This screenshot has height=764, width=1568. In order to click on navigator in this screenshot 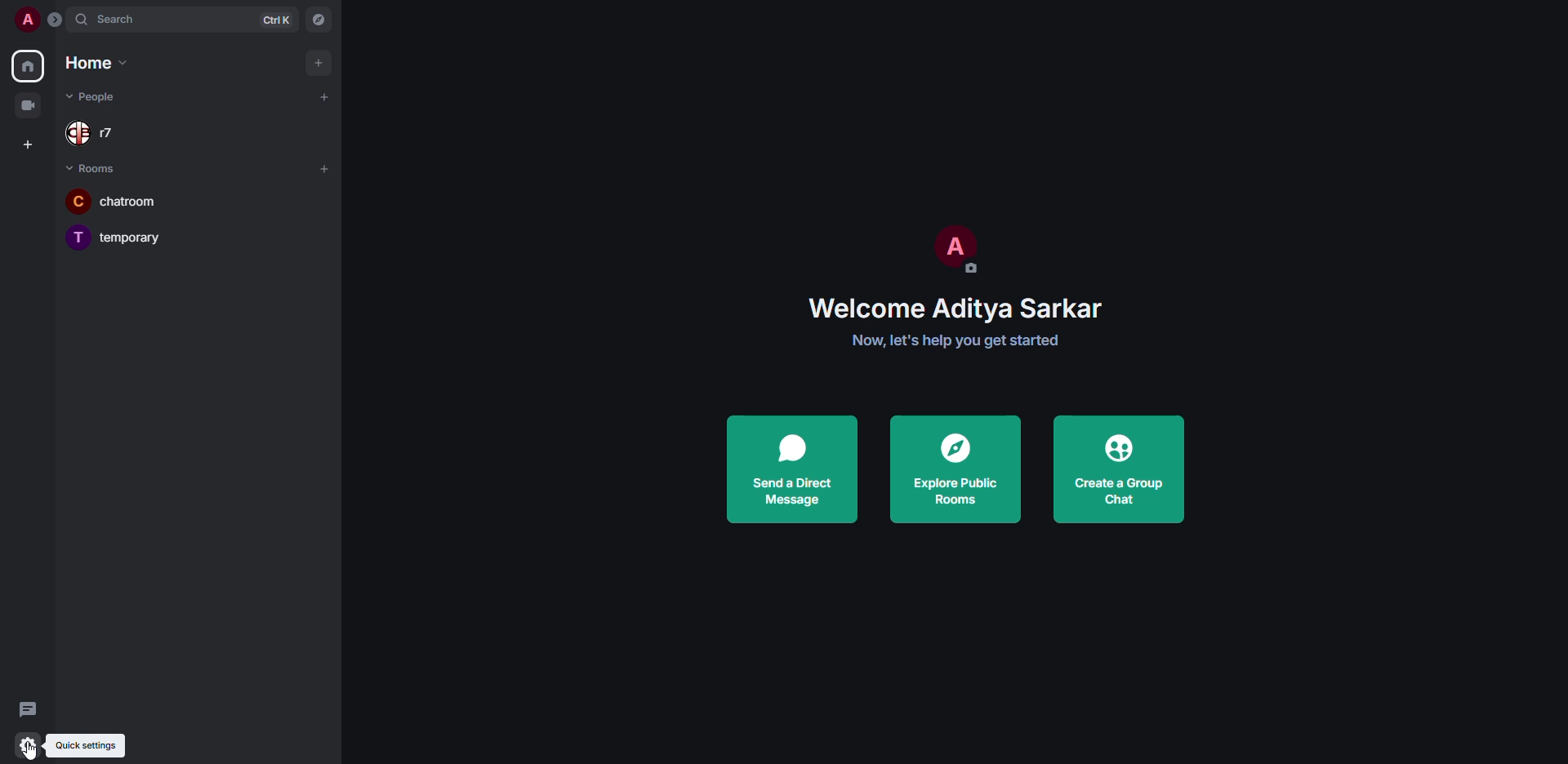, I will do `click(320, 16)`.